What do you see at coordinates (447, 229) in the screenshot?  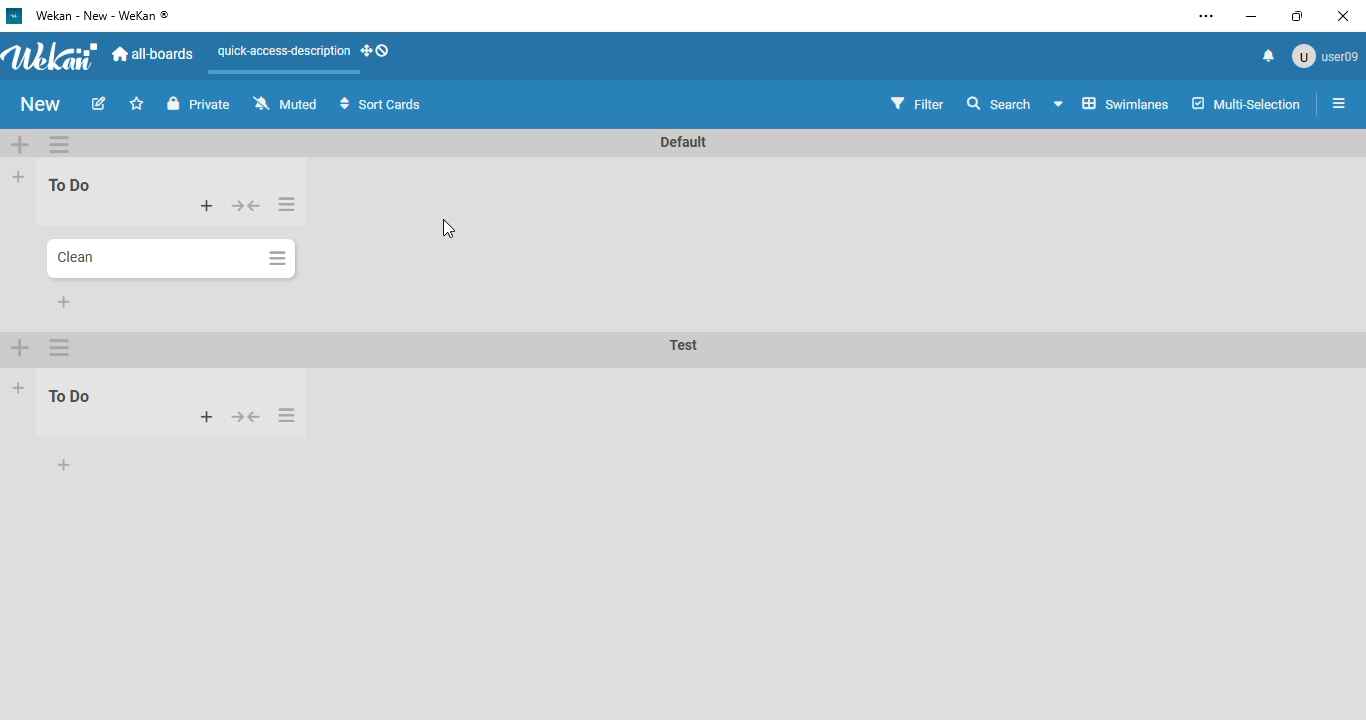 I see `cursor` at bounding box center [447, 229].